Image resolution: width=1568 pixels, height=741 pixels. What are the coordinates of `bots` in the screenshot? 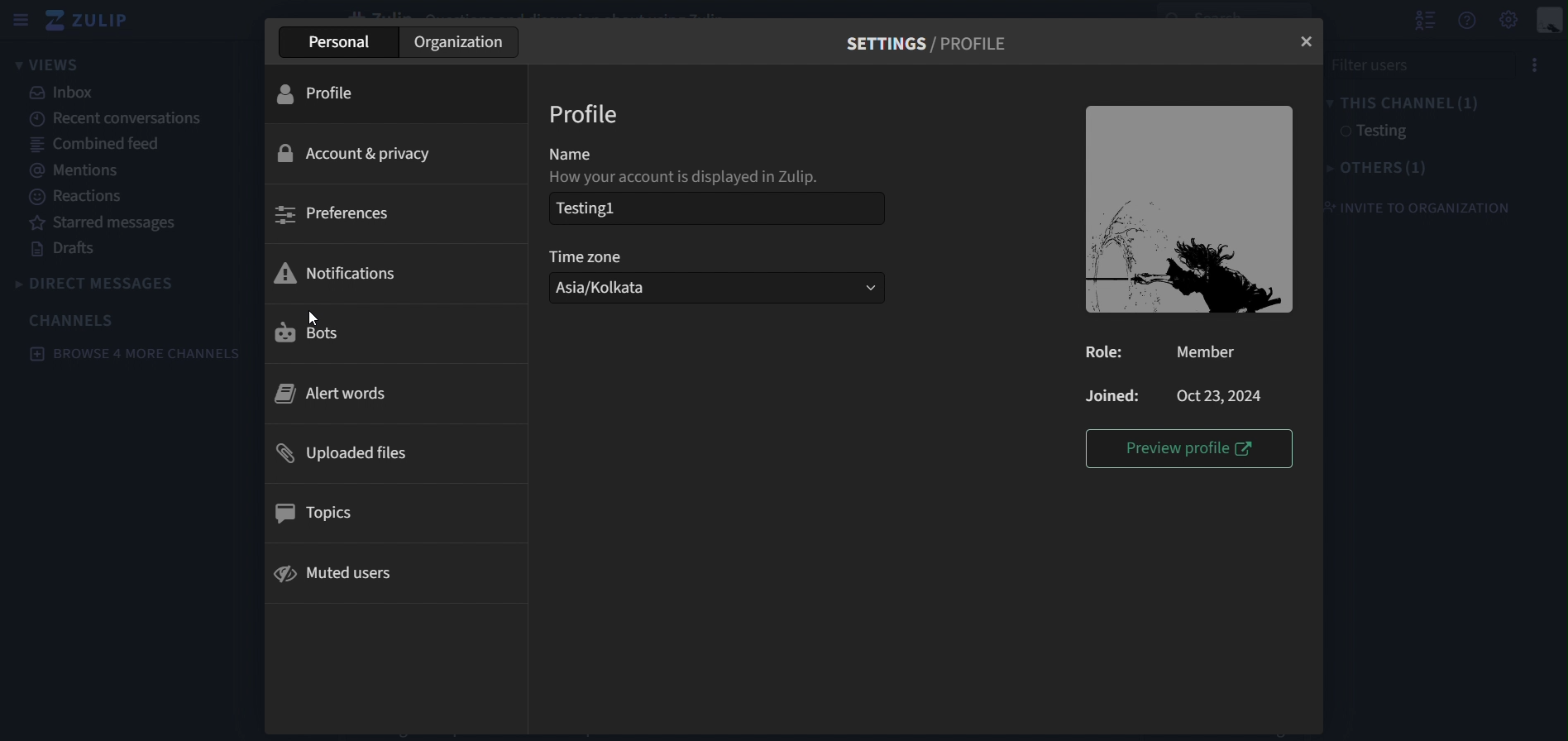 It's located at (318, 334).